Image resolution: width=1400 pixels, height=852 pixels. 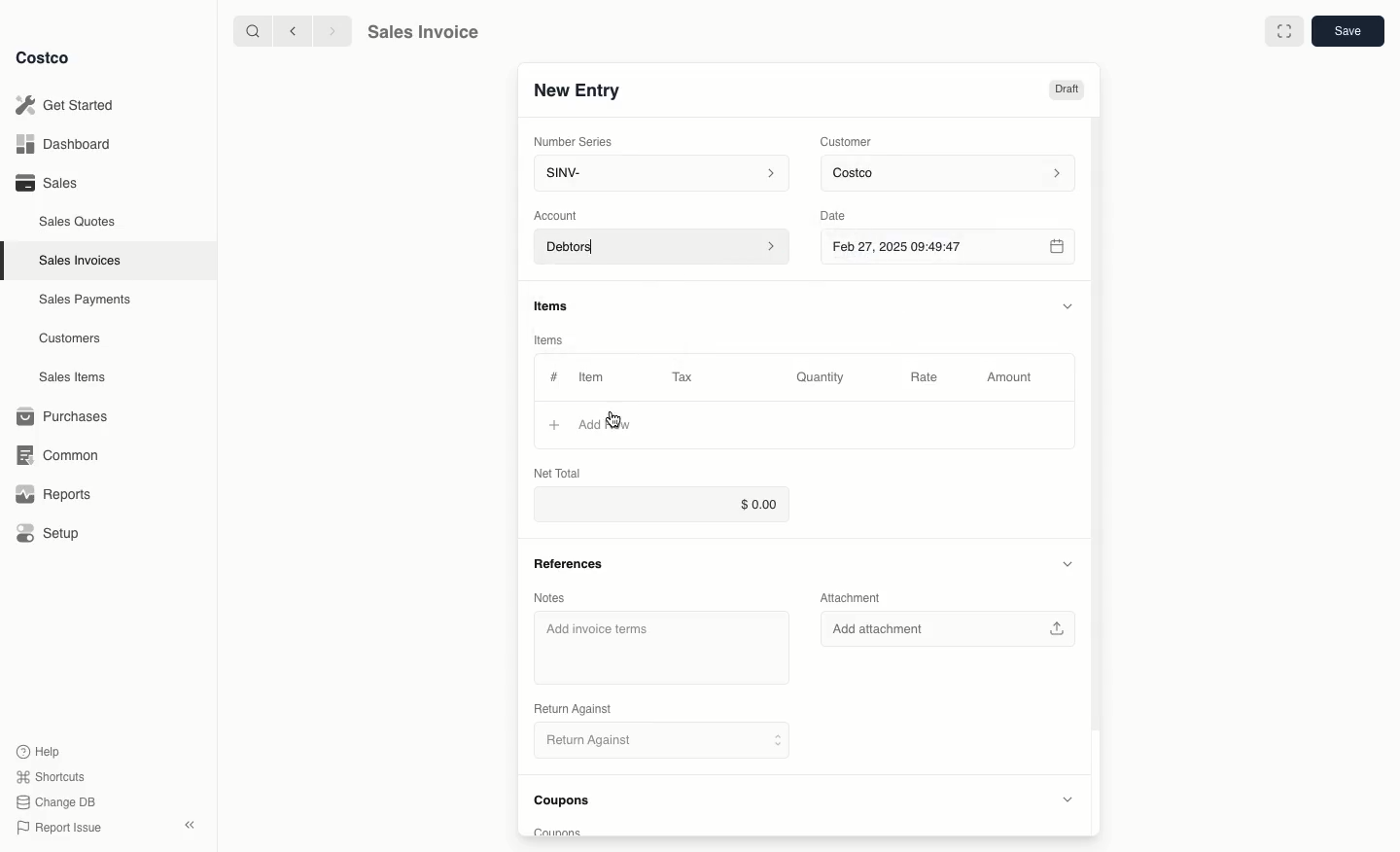 I want to click on Sales Quotes, so click(x=79, y=221).